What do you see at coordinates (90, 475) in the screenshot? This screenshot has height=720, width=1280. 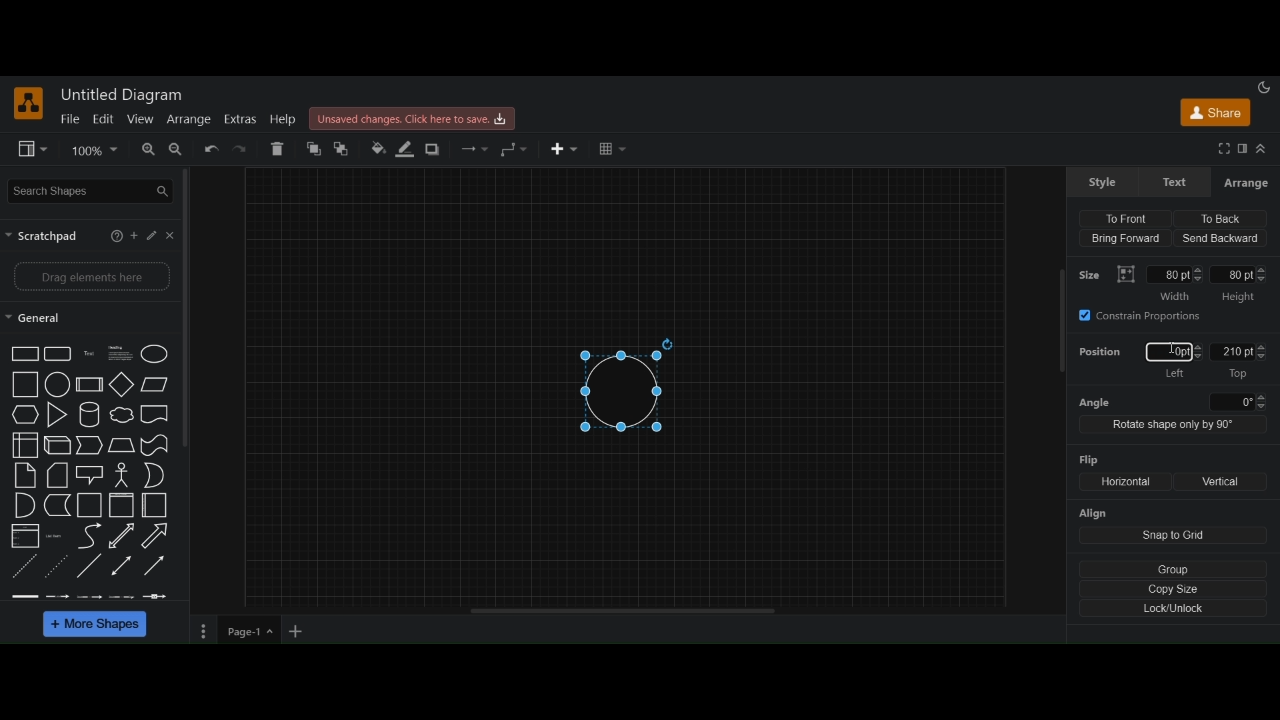 I see `Comment` at bounding box center [90, 475].